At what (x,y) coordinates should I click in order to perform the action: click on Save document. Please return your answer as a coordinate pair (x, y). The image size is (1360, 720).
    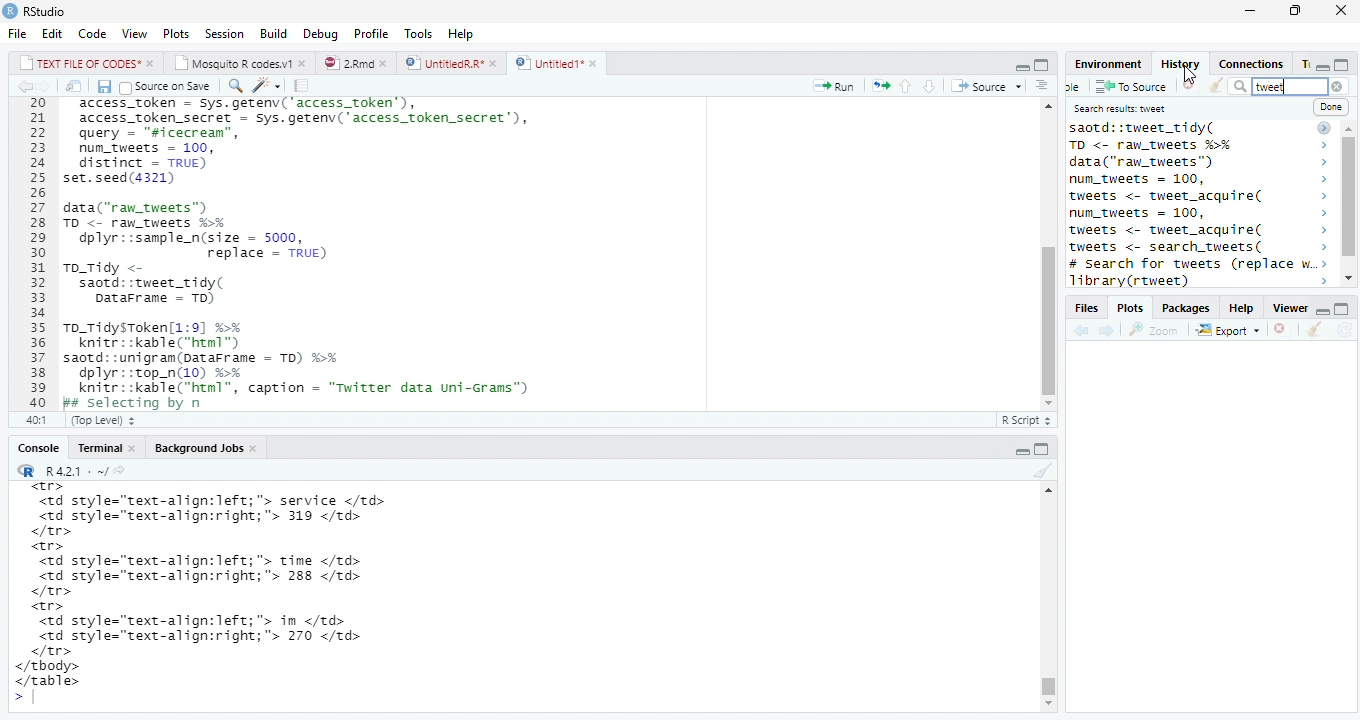
    Looking at the image, I should click on (102, 86).